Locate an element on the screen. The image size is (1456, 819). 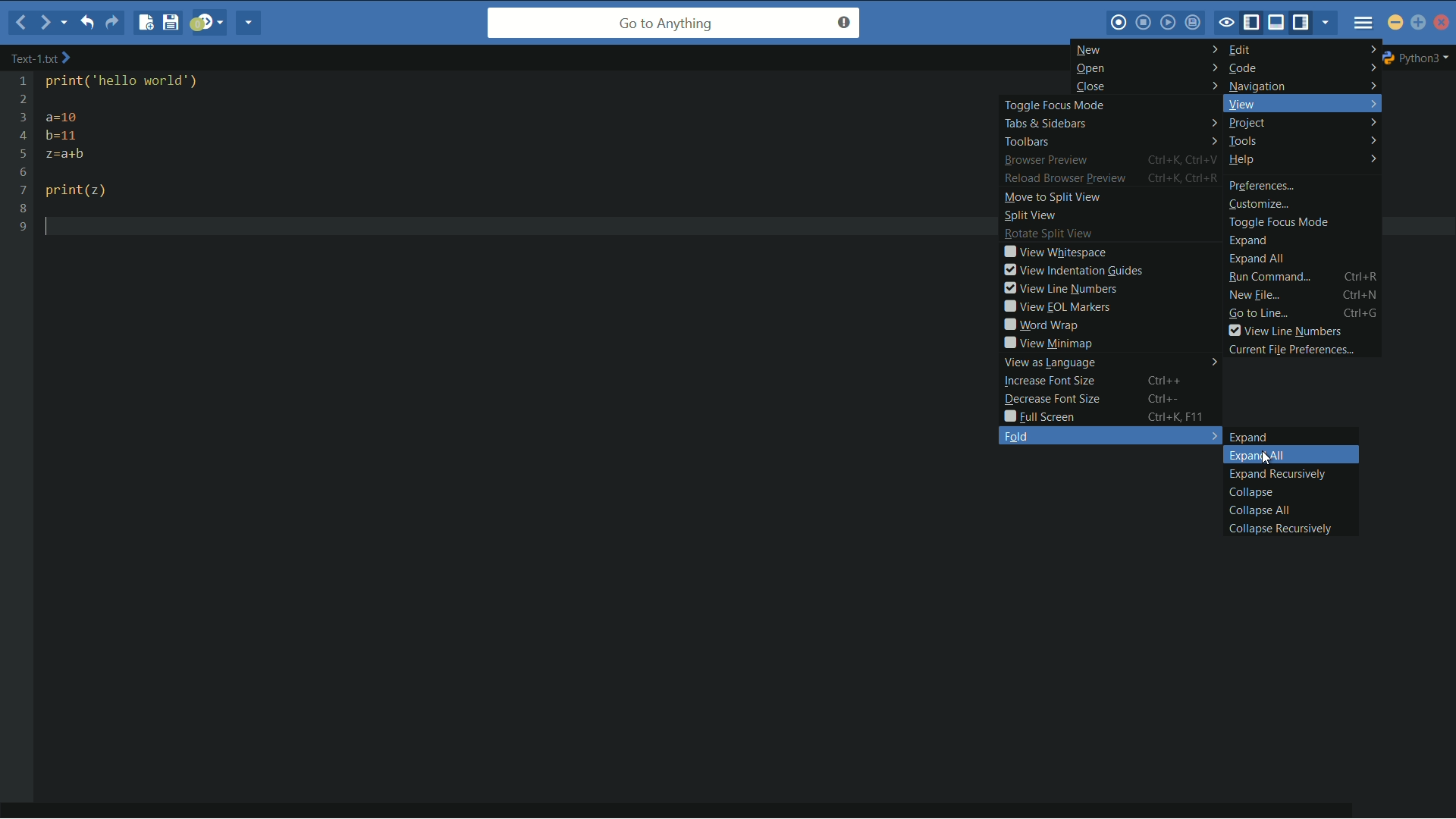
python3 is located at coordinates (1420, 57).